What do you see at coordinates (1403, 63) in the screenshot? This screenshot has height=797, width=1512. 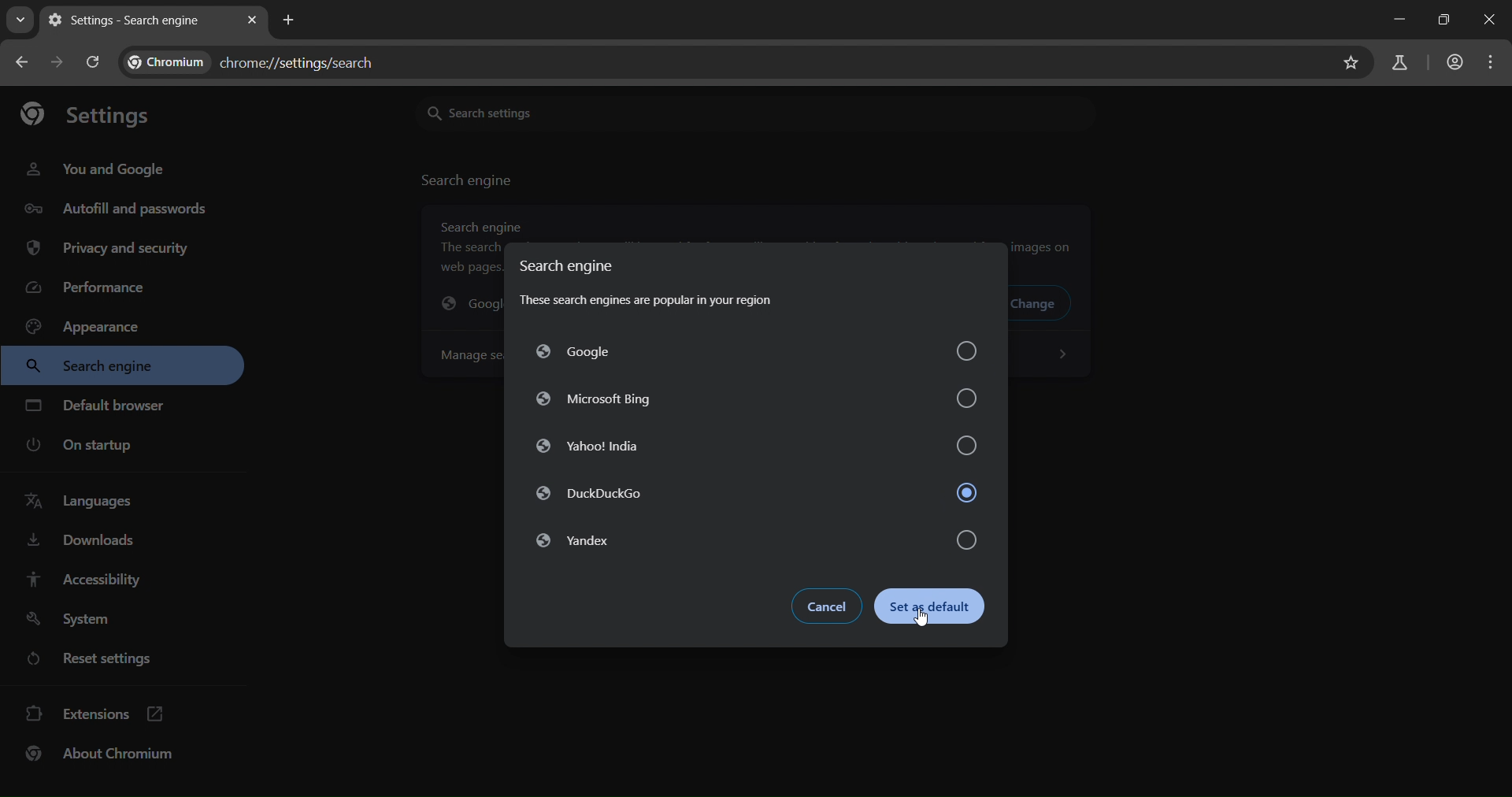 I see `search labs` at bounding box center [1403, 63].